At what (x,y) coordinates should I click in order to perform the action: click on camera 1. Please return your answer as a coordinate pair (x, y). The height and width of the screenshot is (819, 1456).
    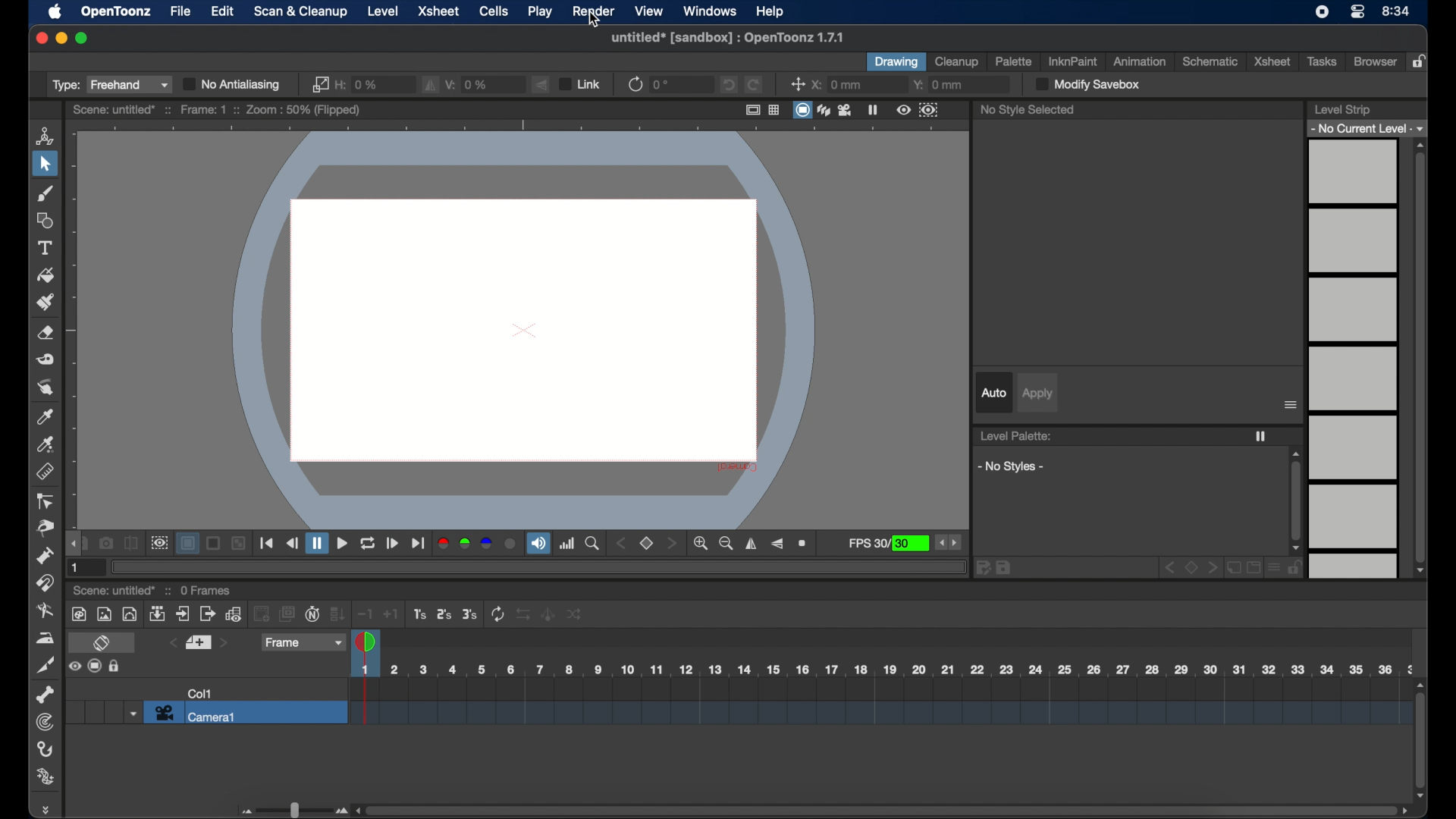
    Looking at the image, I should click on (246, 713).